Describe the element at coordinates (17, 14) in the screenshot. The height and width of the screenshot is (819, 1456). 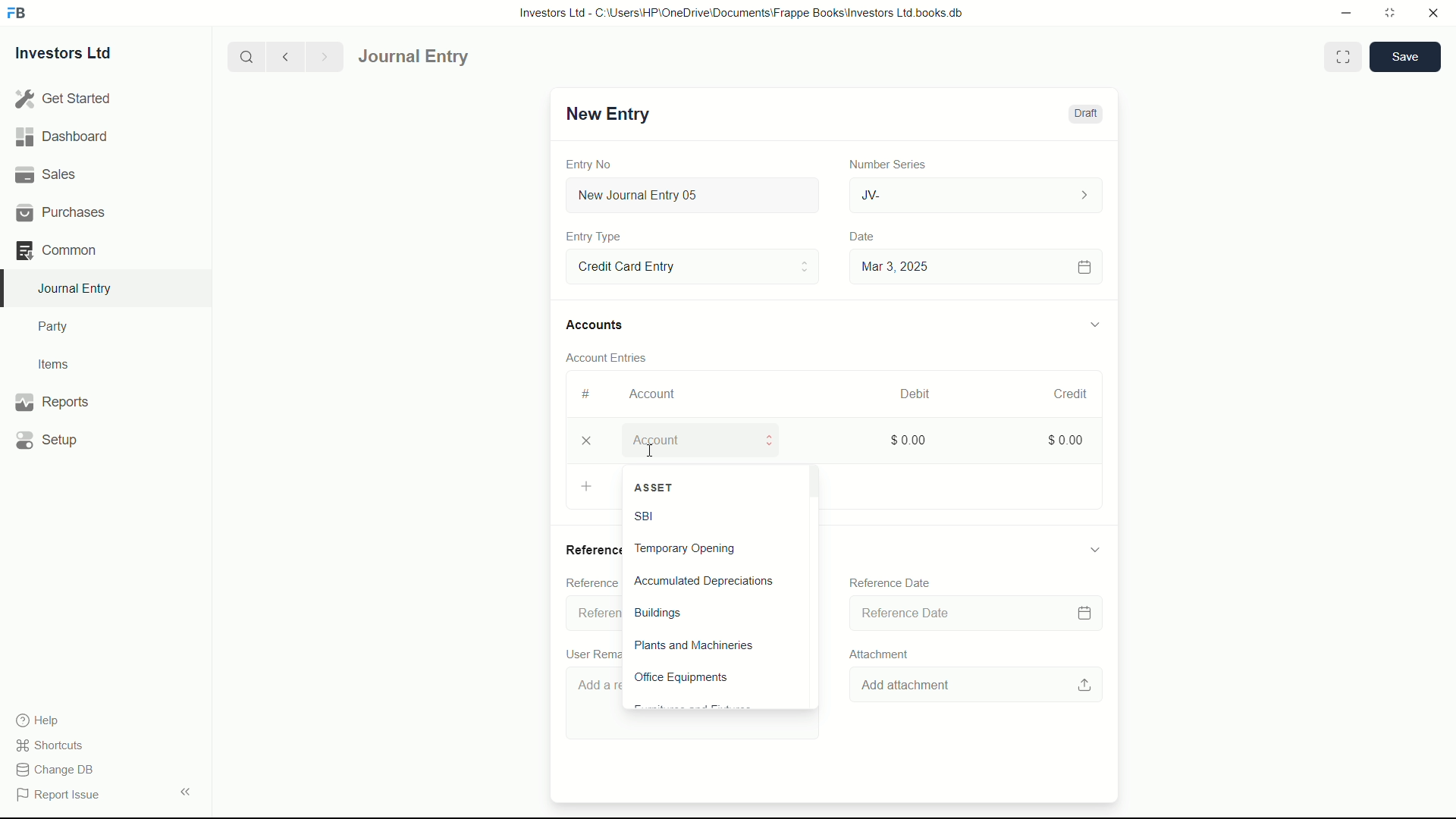
I see `FrappeBooks logo` at that location.